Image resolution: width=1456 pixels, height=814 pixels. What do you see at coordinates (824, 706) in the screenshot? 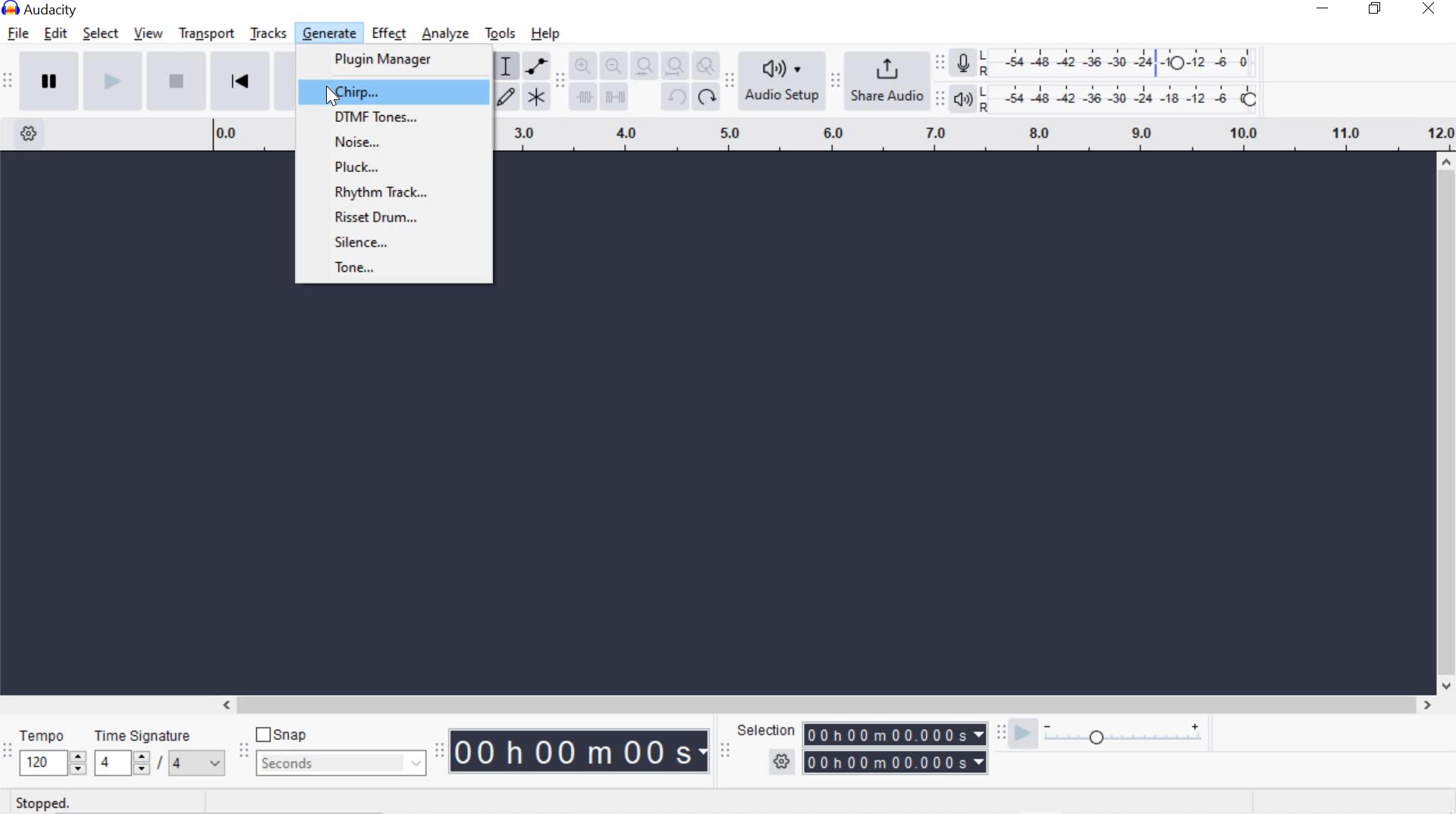
I see `scrollbar` at bounding box center [824, 706].